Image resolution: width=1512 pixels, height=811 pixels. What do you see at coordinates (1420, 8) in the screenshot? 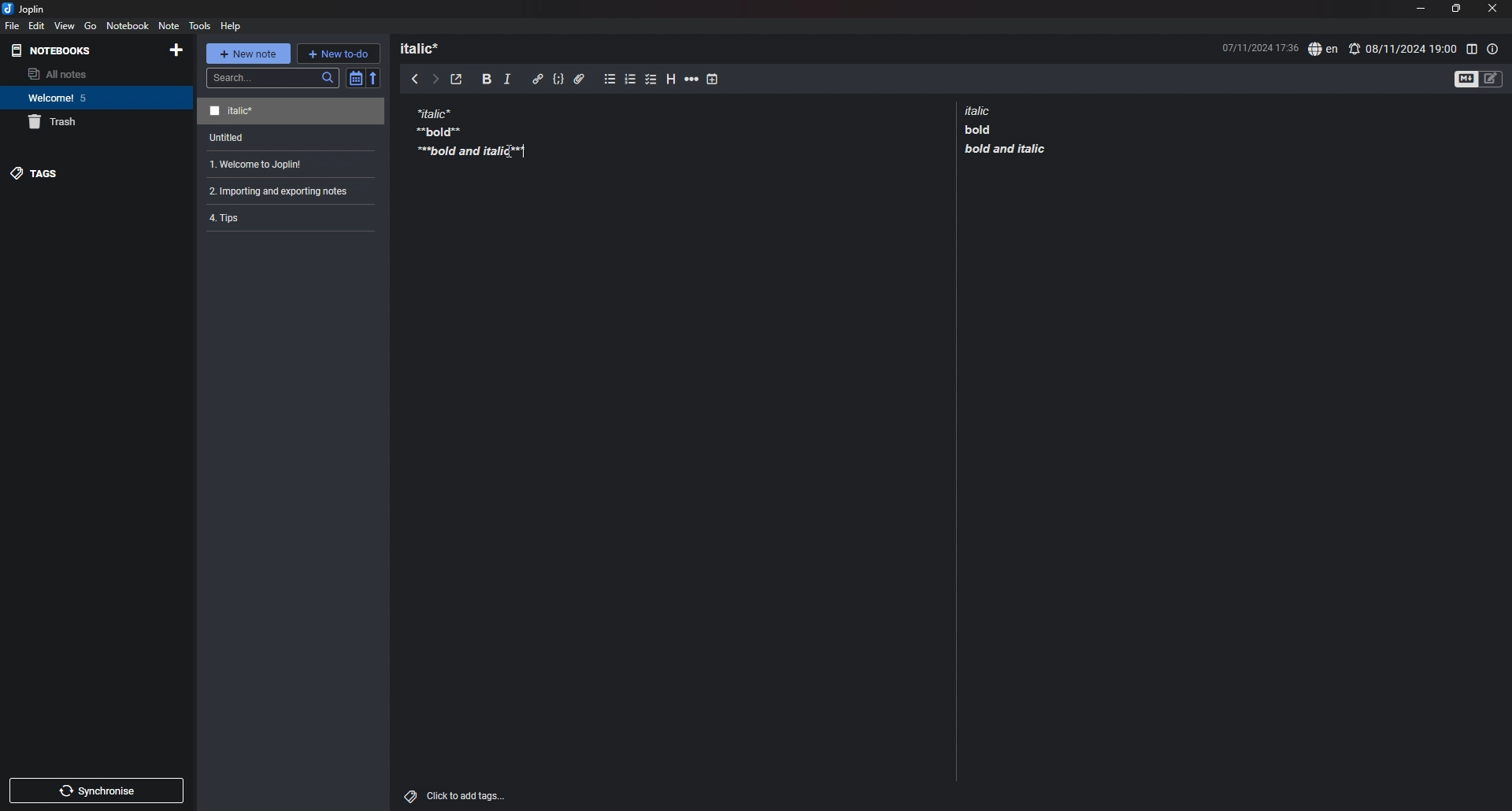
I see `minimize` at bounding box center [1420, 8].